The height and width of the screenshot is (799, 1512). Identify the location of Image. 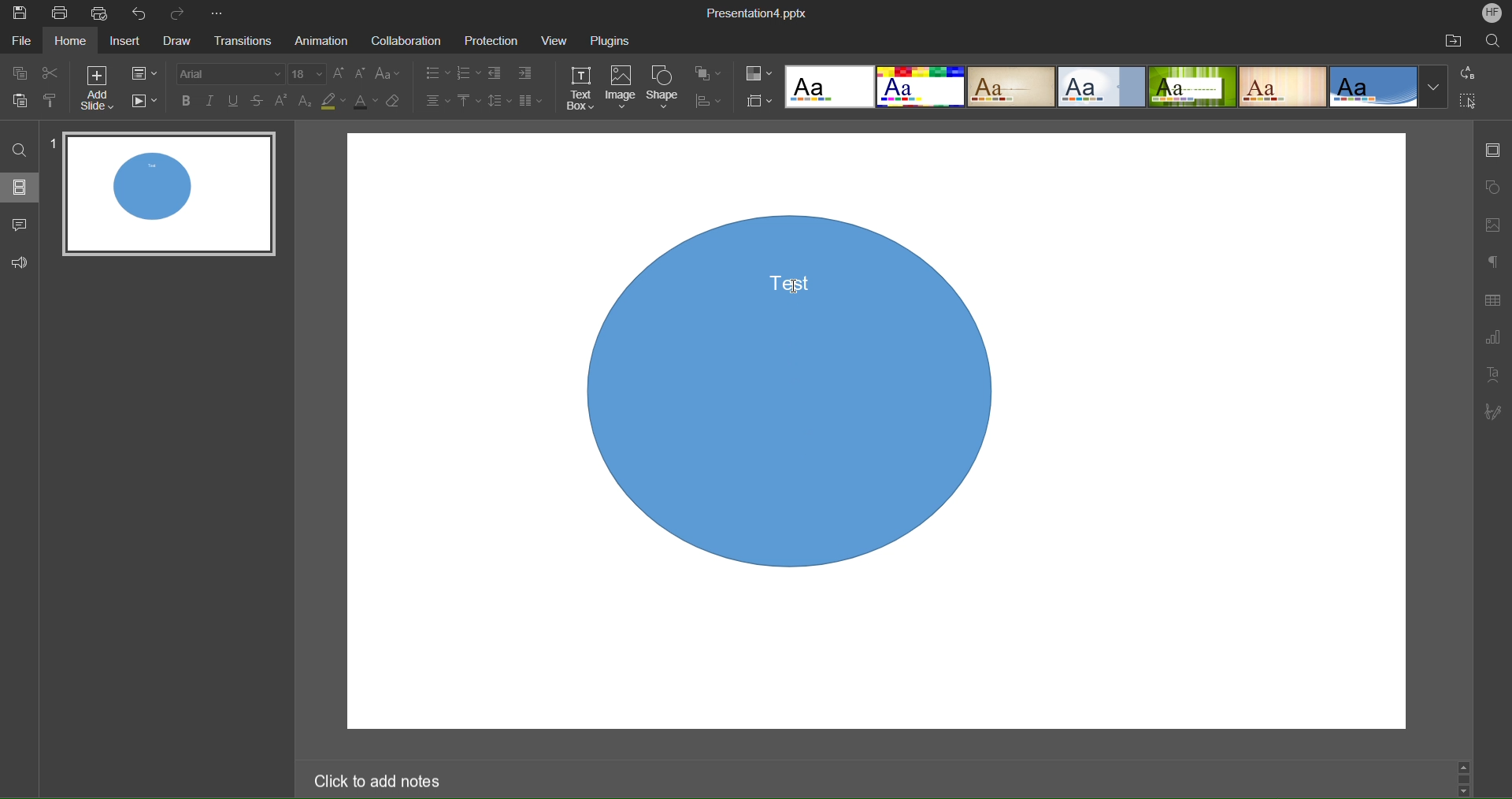
(621, 87).